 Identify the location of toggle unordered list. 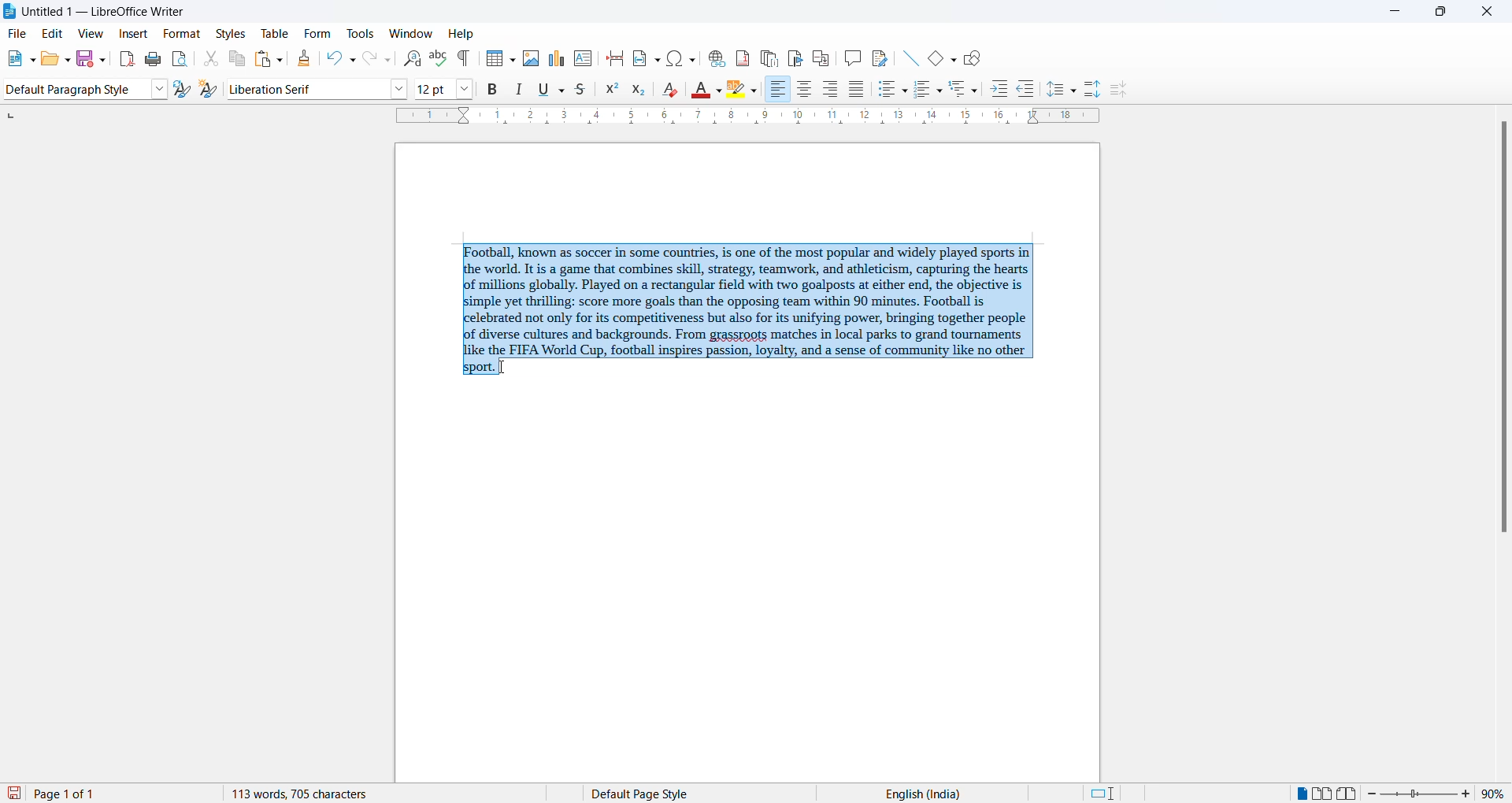
(886, 91).